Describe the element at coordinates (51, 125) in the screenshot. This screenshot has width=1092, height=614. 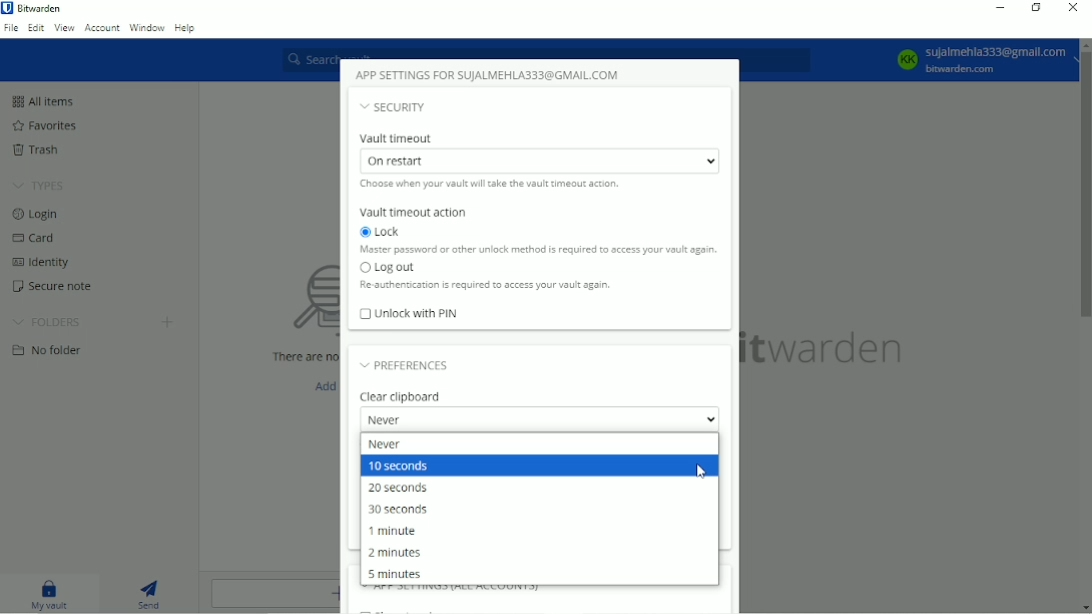
I see `Favorites` at that location.